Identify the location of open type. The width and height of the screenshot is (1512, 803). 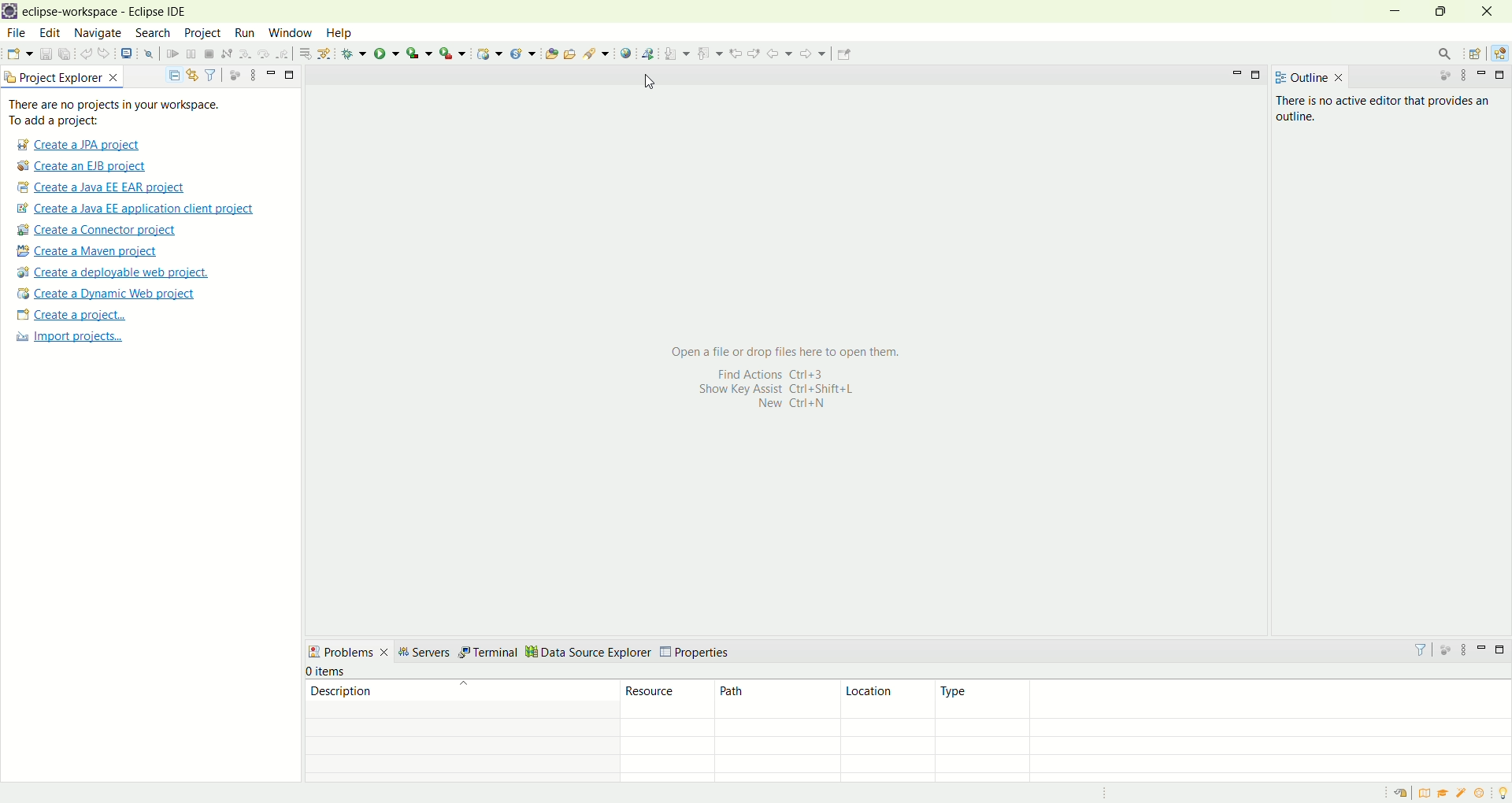
(550, 53).